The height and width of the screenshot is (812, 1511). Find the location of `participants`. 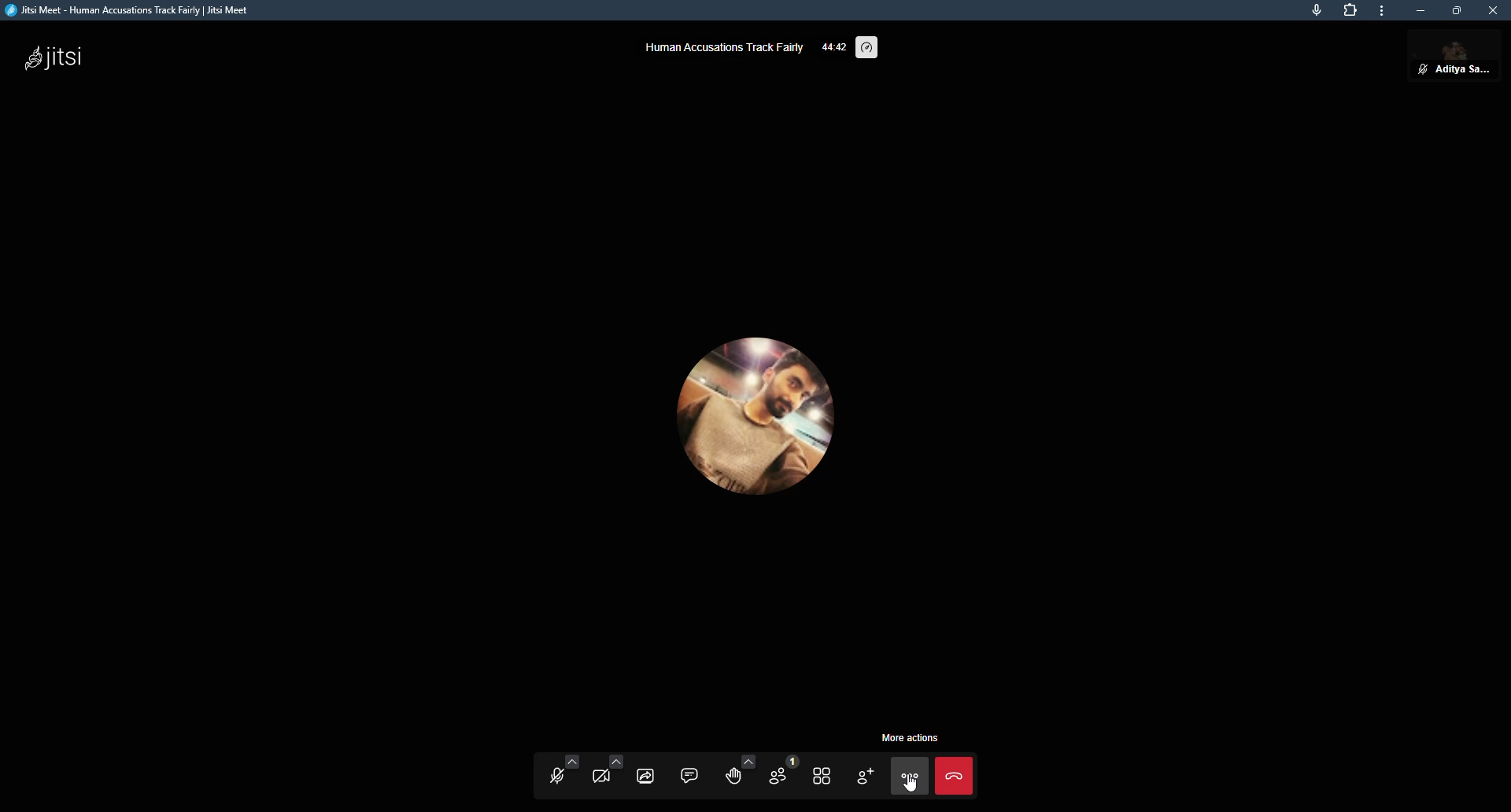

participants is located at coordinates (775, 773).